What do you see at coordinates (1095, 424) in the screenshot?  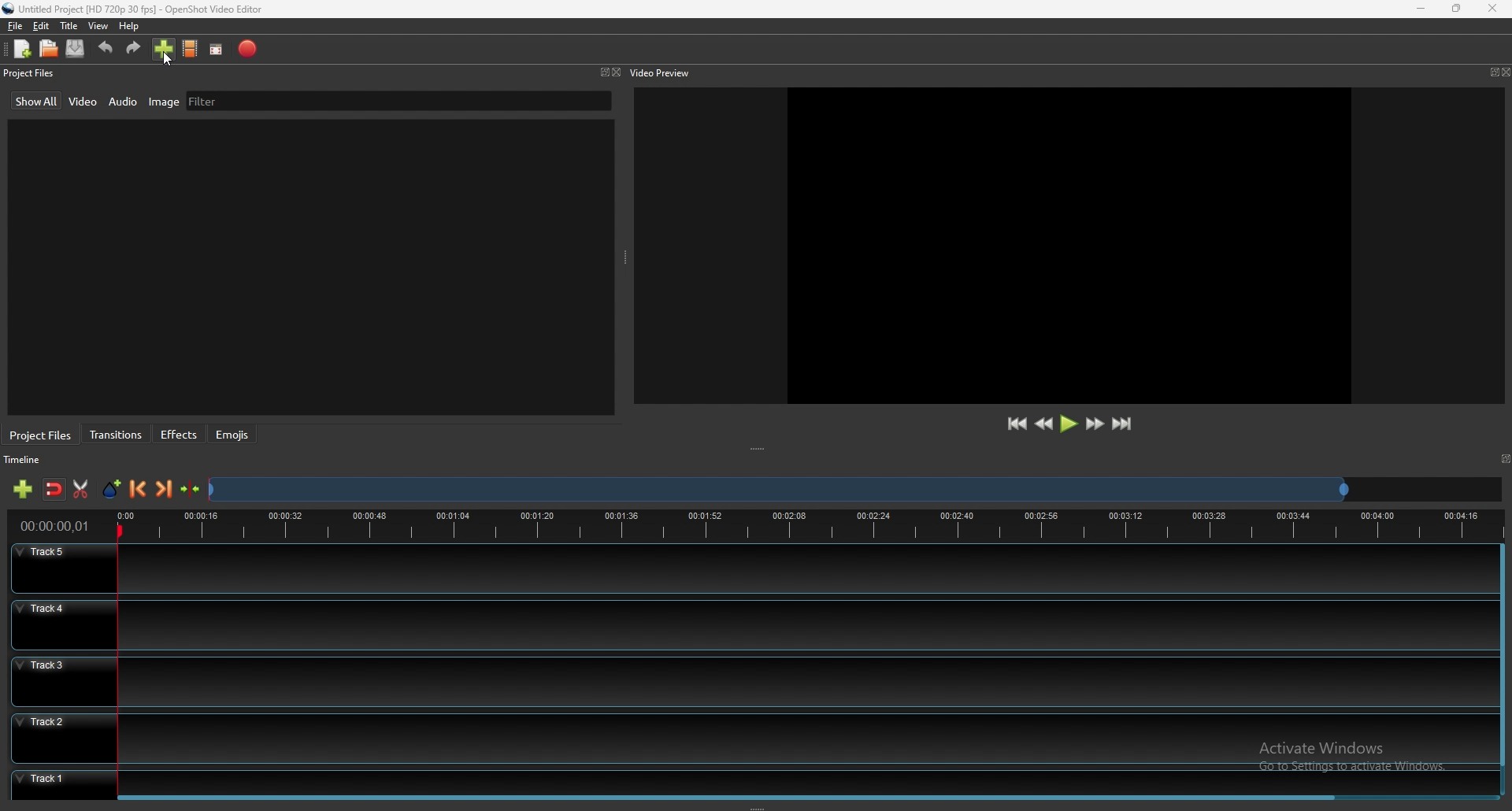 I see `fast forward` at bounding box center [1095, 424].